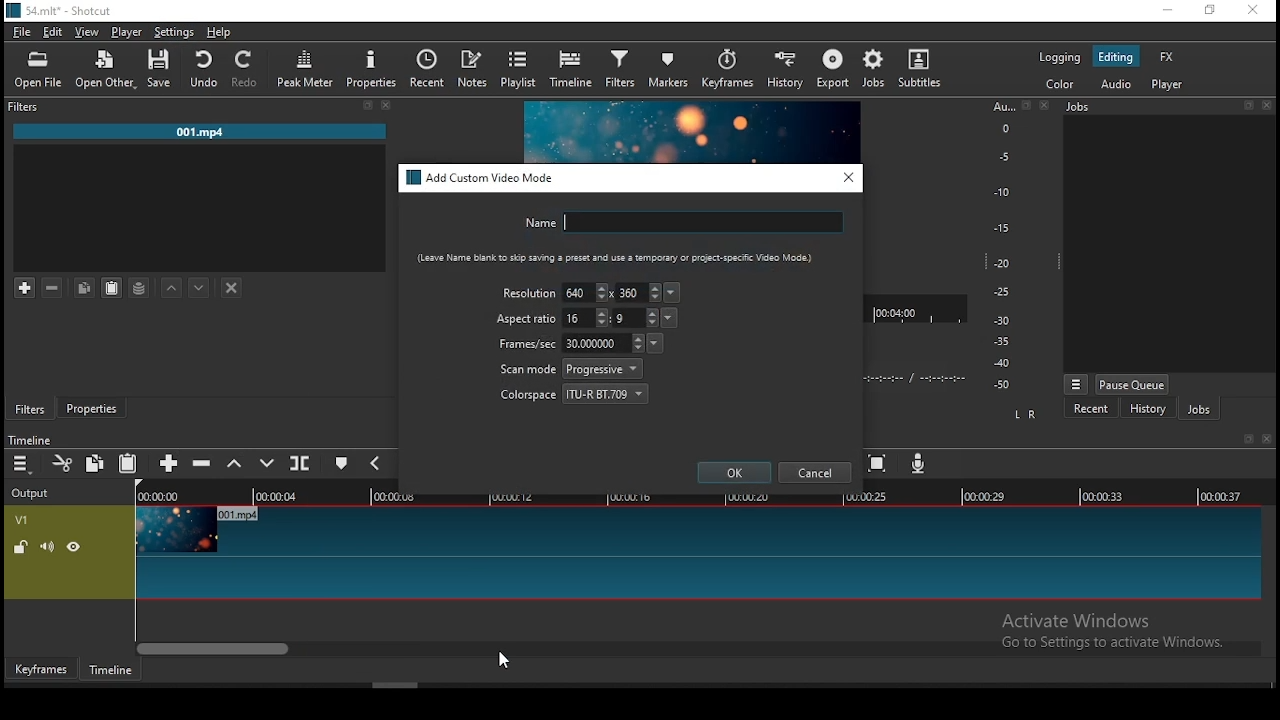 The width and height of the screenshot is (1280, 720). What do you see at coordinates (1000, 192) in the screenshot?
I see `-10` at bounding box center [1000, 192].